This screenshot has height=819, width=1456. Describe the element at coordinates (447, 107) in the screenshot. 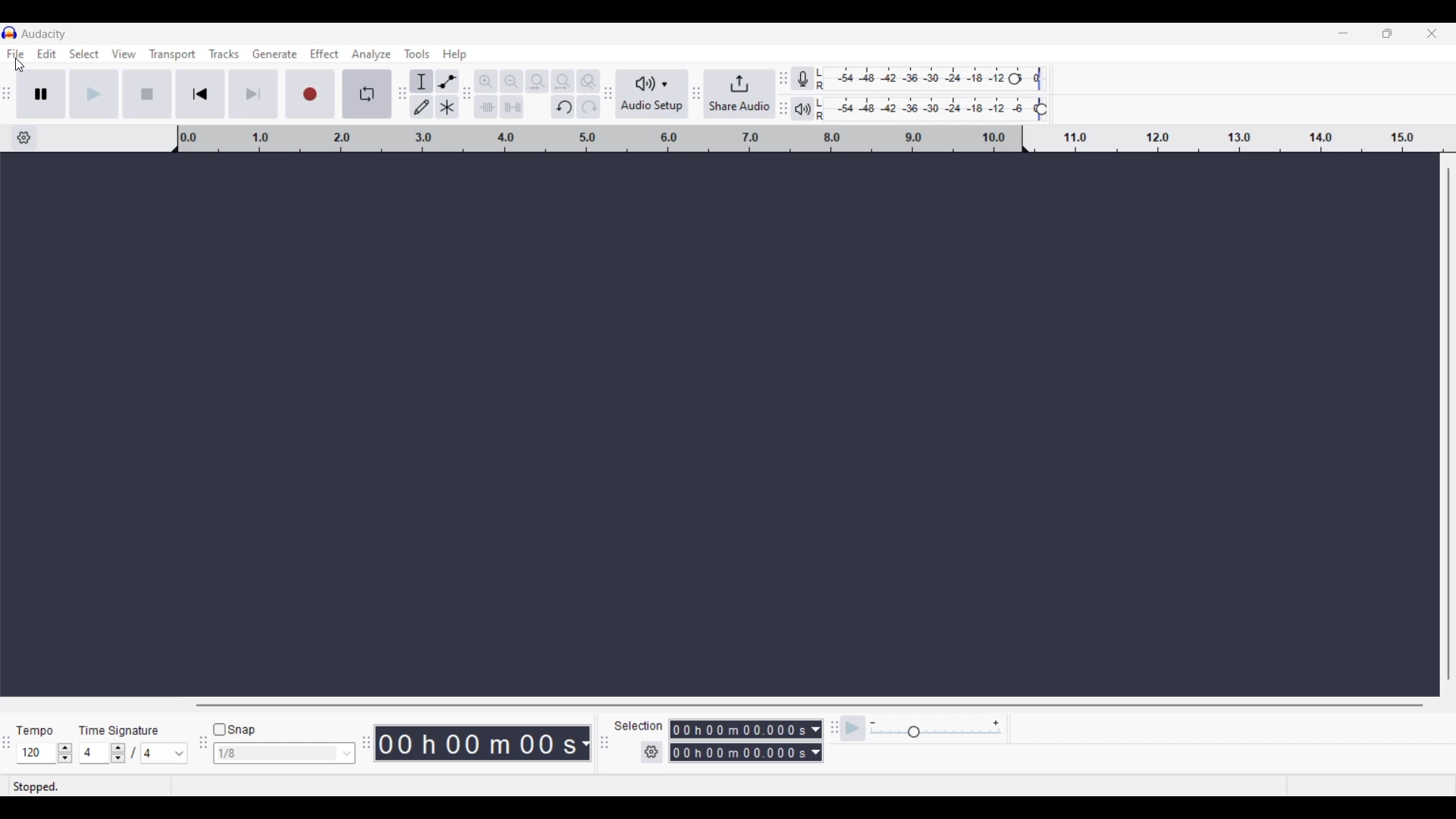

I see `Multi-tool` at that location.